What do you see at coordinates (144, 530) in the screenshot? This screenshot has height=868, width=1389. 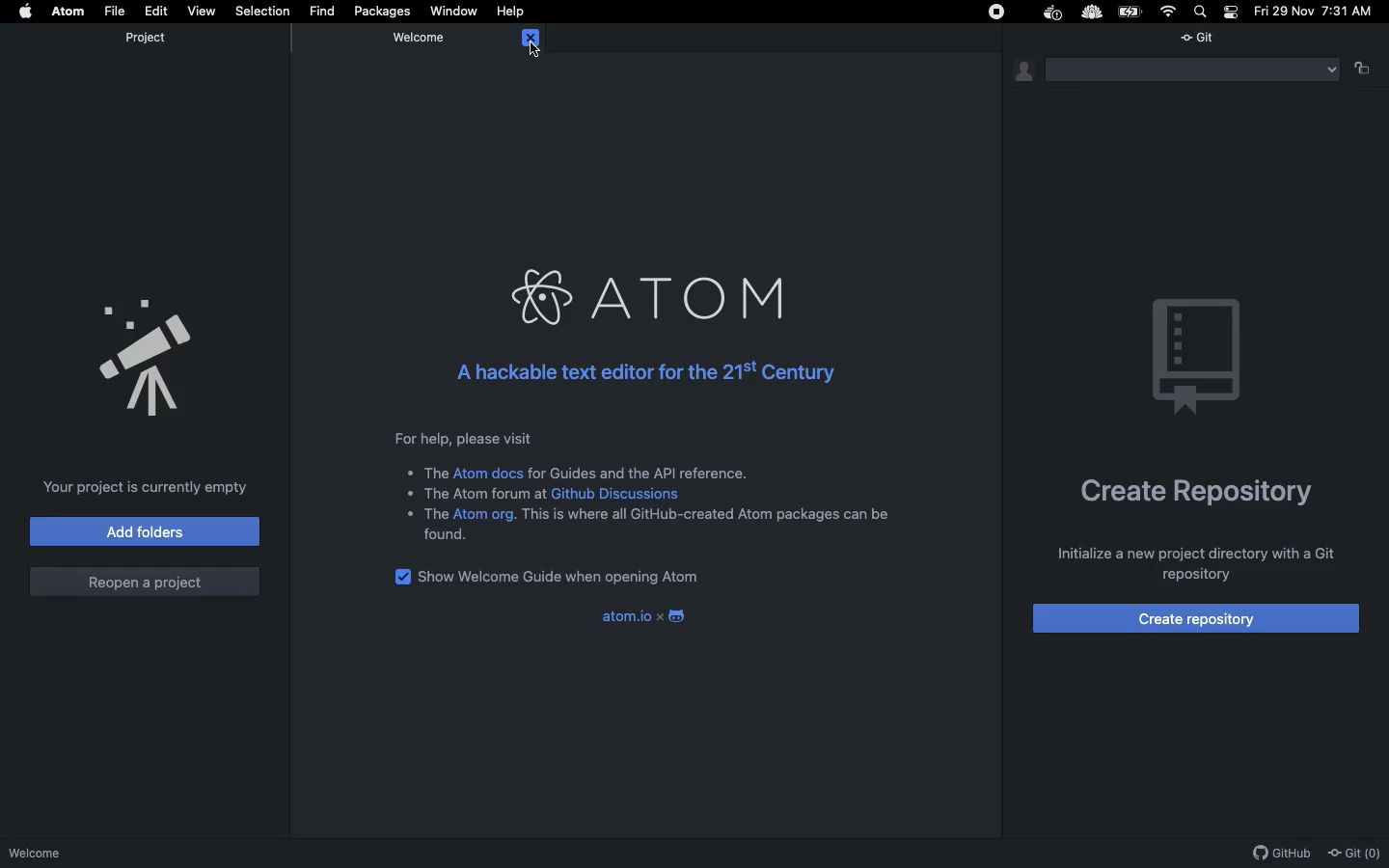 I see `Add folders` at bounding box center [144, 530].